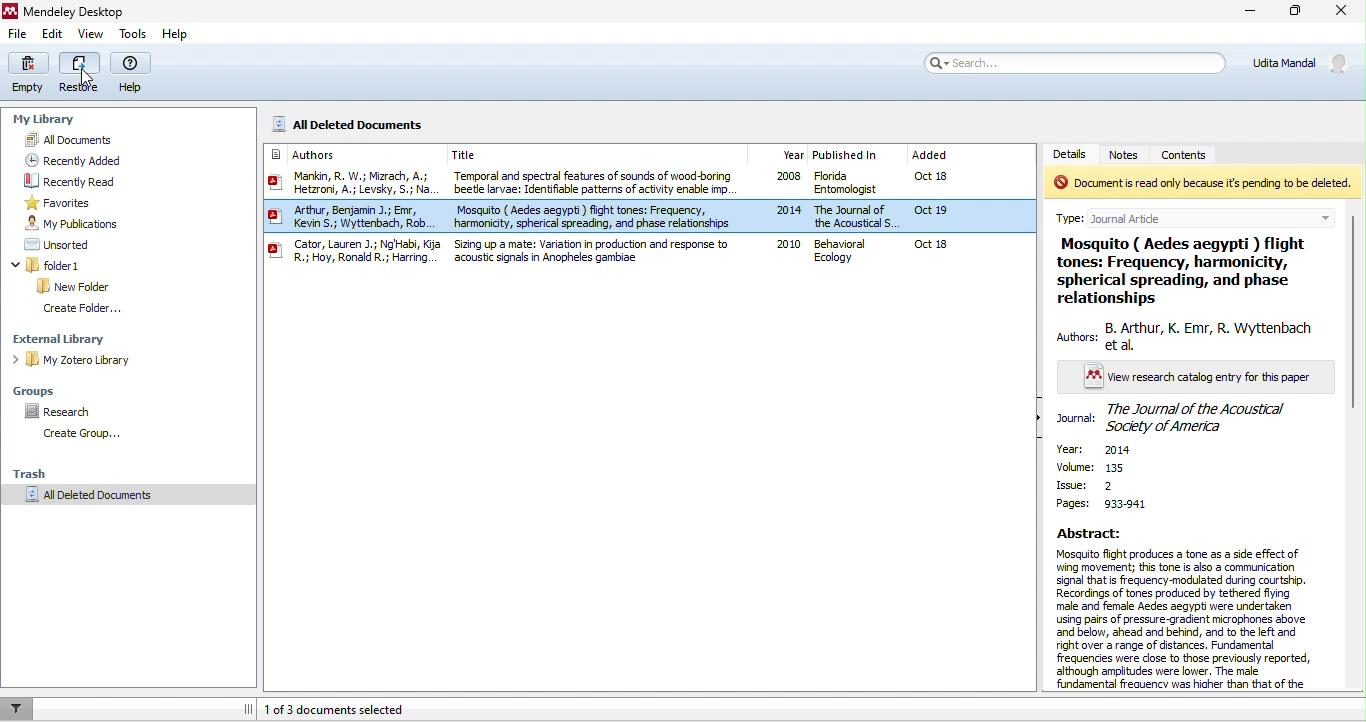  I want to click on type, so click(1205, 214).